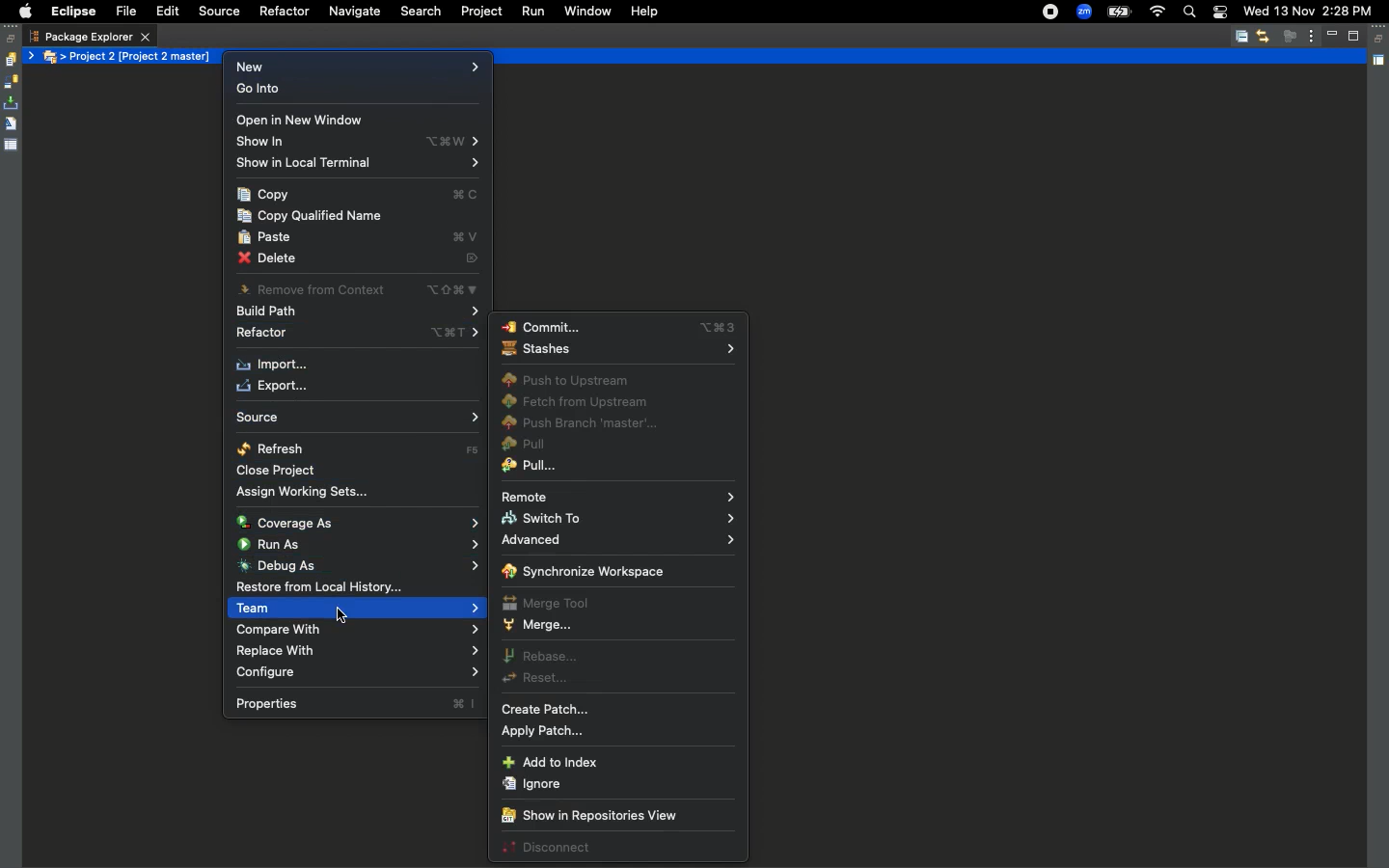 The image size is (1389, 868). I want to click on Build path, so click(365, 312).